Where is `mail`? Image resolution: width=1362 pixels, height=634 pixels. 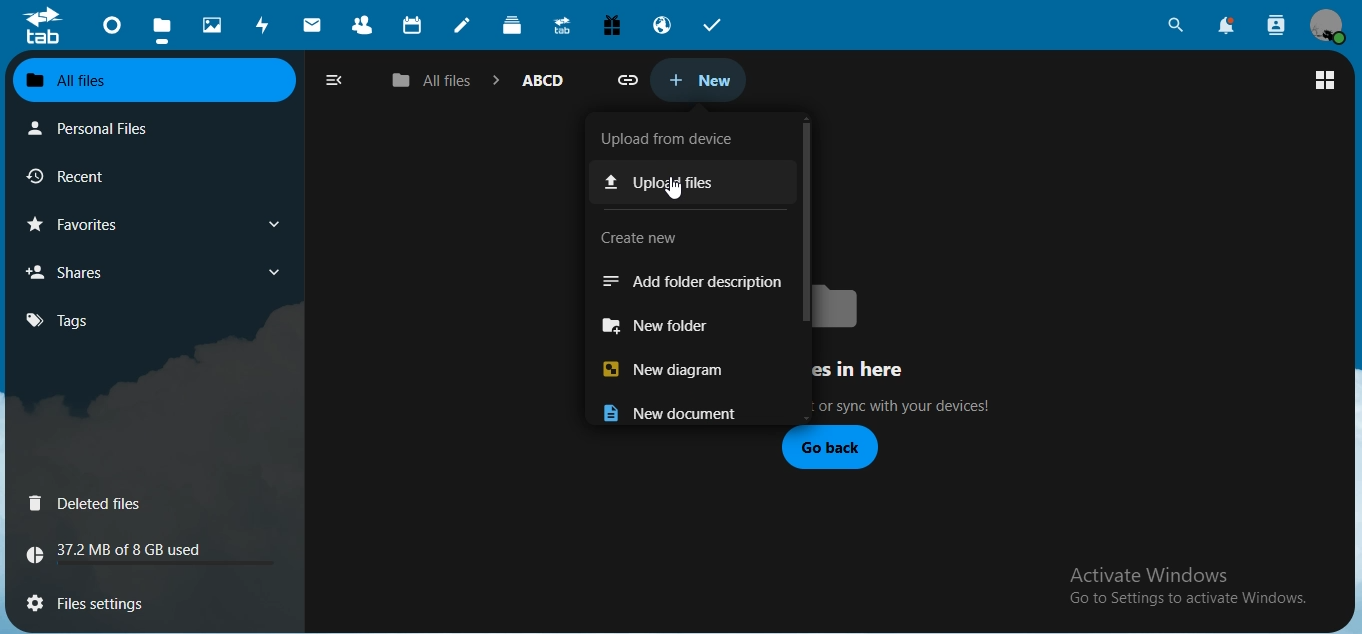
mail is located at coordinates (312, 24).